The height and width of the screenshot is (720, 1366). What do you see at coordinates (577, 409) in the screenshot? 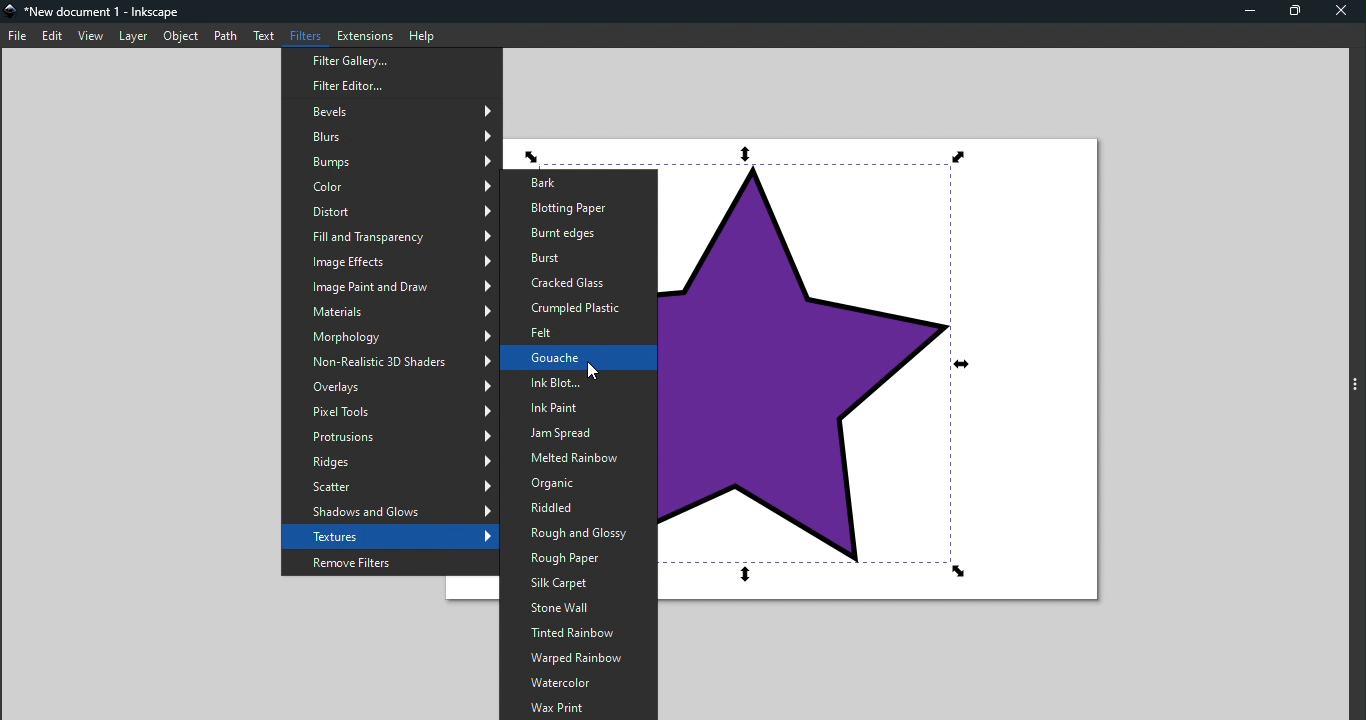
I see `Ink Paint` at bounding box center [577, 409].